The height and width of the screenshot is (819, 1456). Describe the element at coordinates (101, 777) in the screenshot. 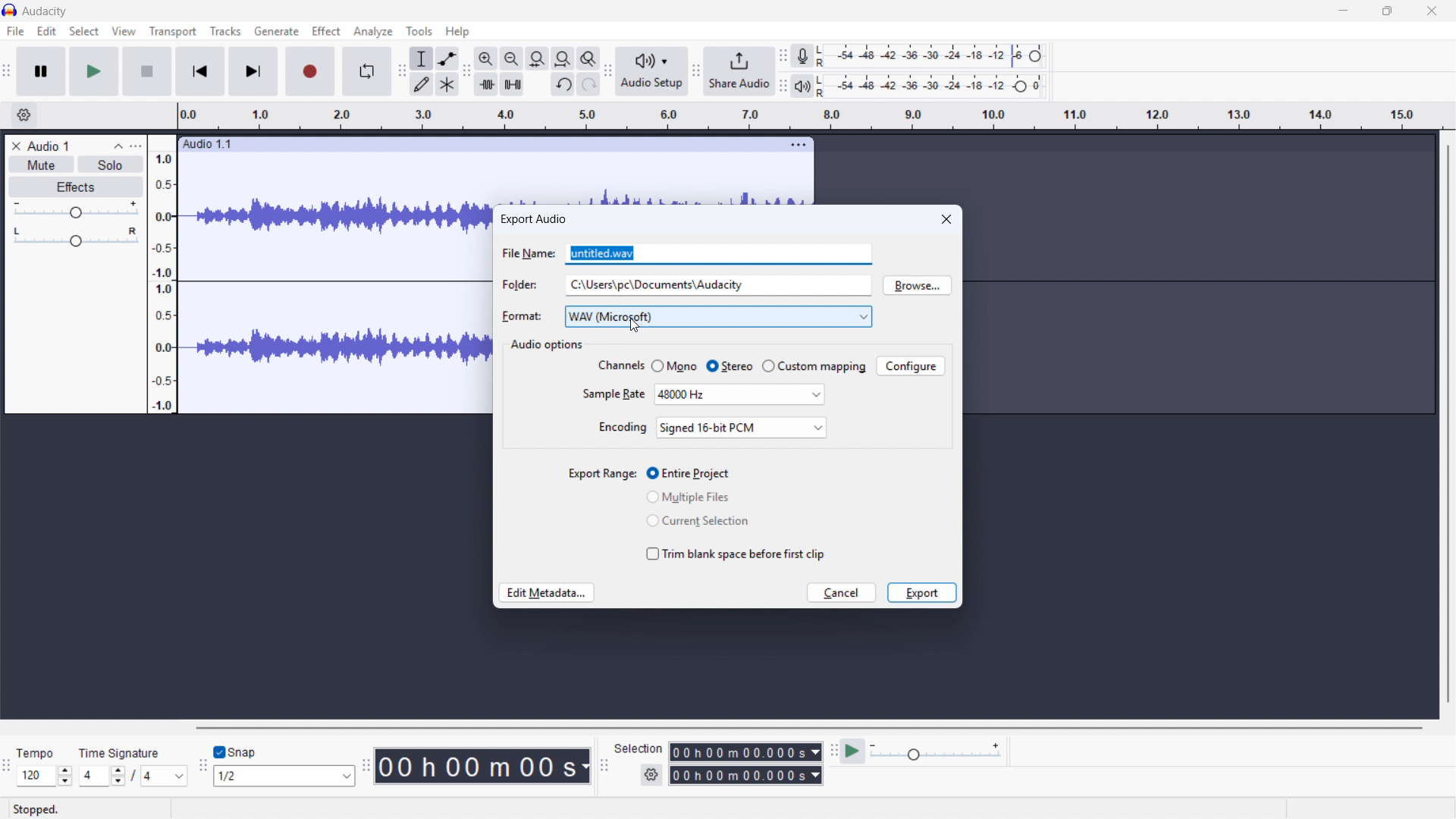

I see `Set time signature ` at that location.